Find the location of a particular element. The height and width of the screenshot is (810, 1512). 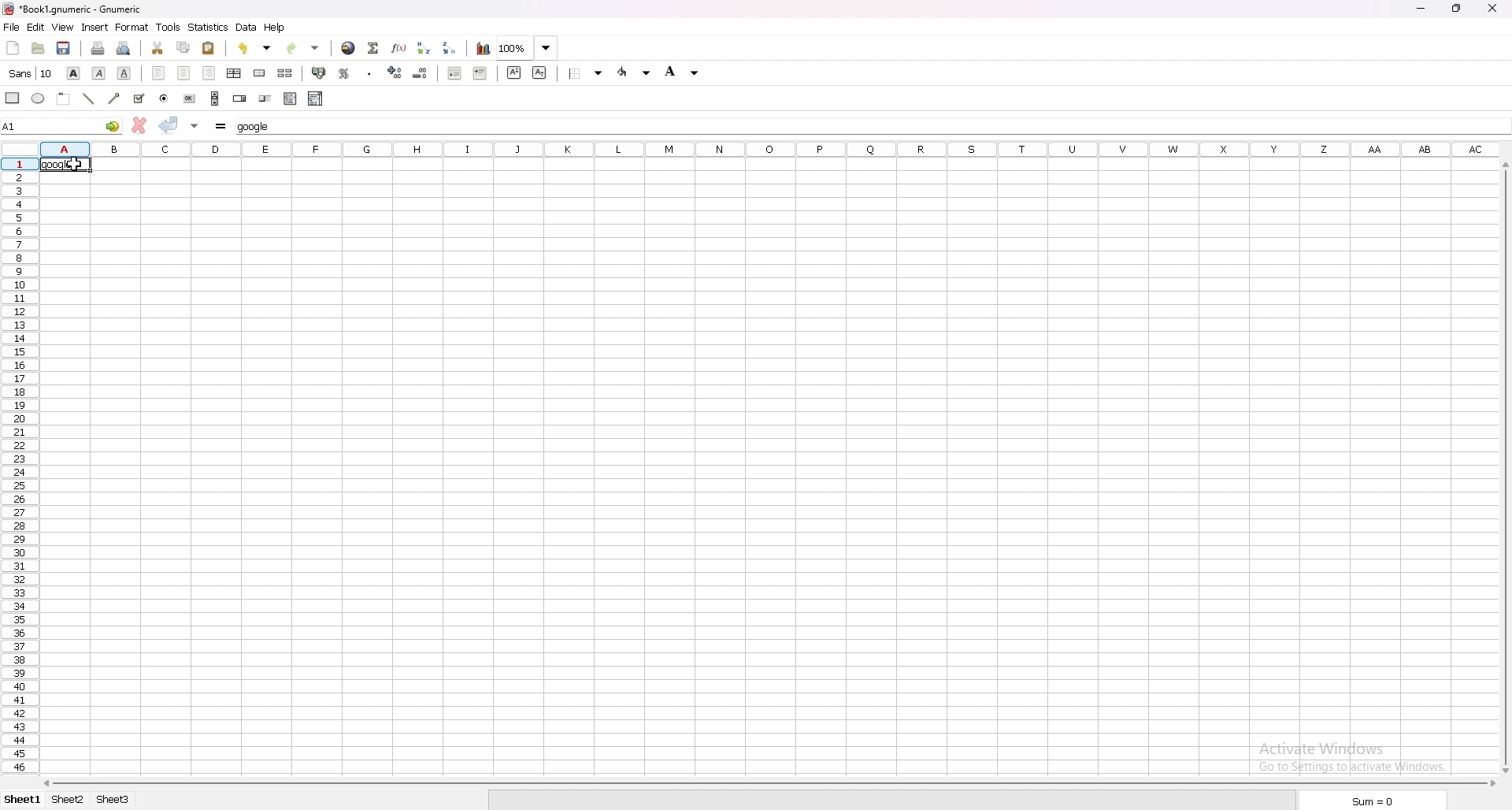

background is located at coordinates (684, 72).